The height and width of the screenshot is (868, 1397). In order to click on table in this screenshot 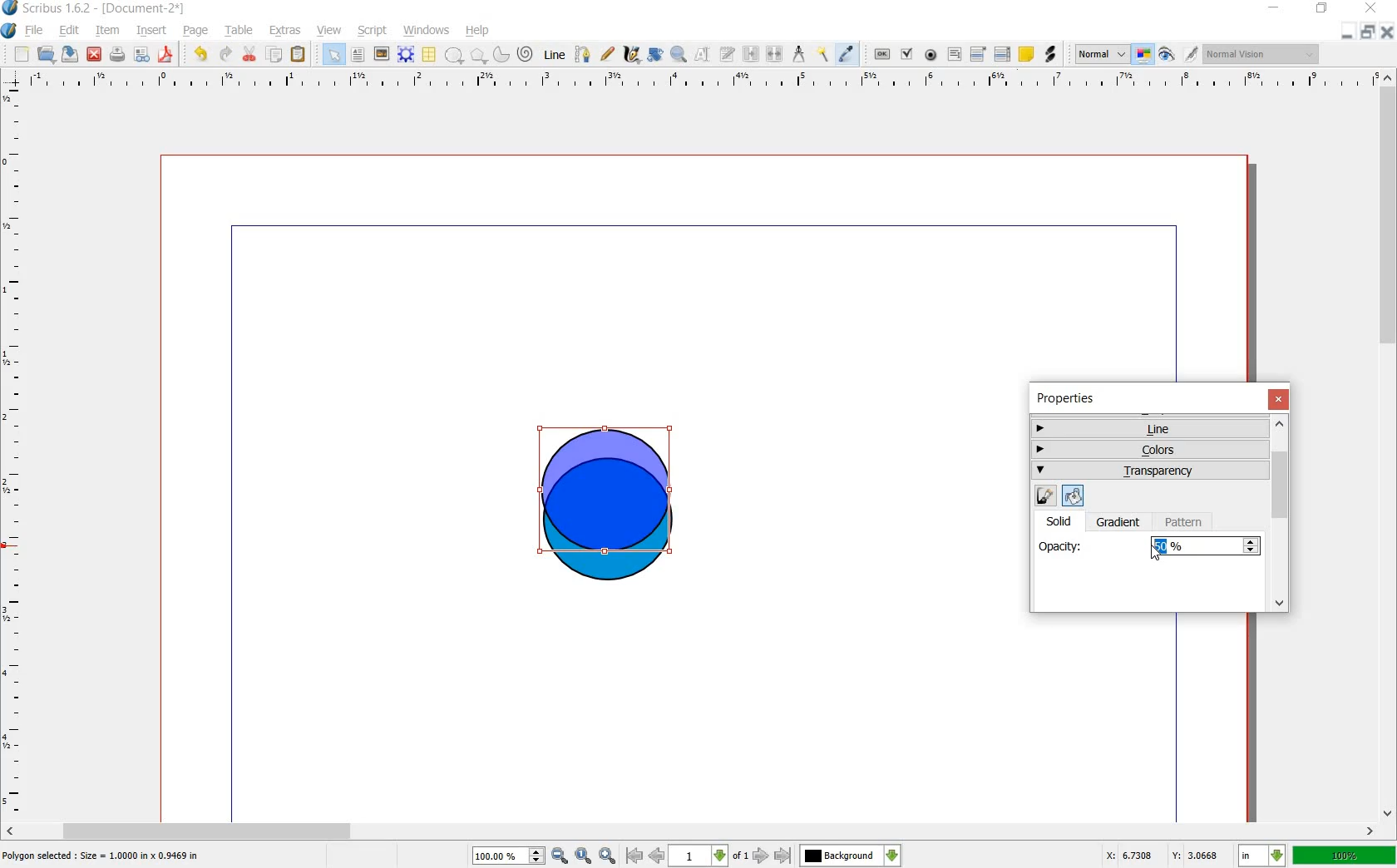, I will do `click(240, 31)`.